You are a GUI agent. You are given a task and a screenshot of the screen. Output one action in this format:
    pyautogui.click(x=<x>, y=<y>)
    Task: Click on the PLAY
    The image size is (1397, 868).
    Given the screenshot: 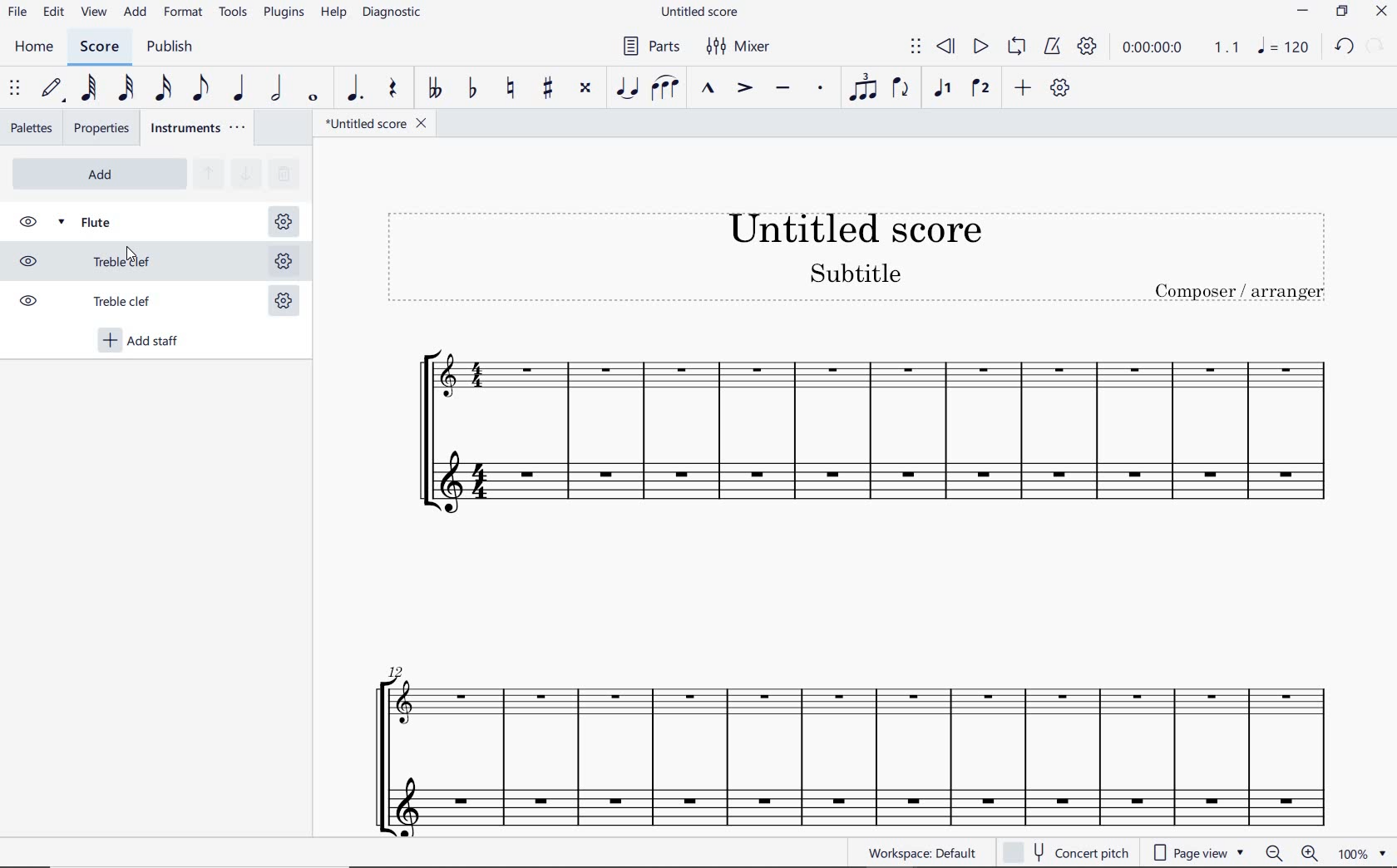 What is the action you would take?
    pyautogui.click(x=980, y=47)
    